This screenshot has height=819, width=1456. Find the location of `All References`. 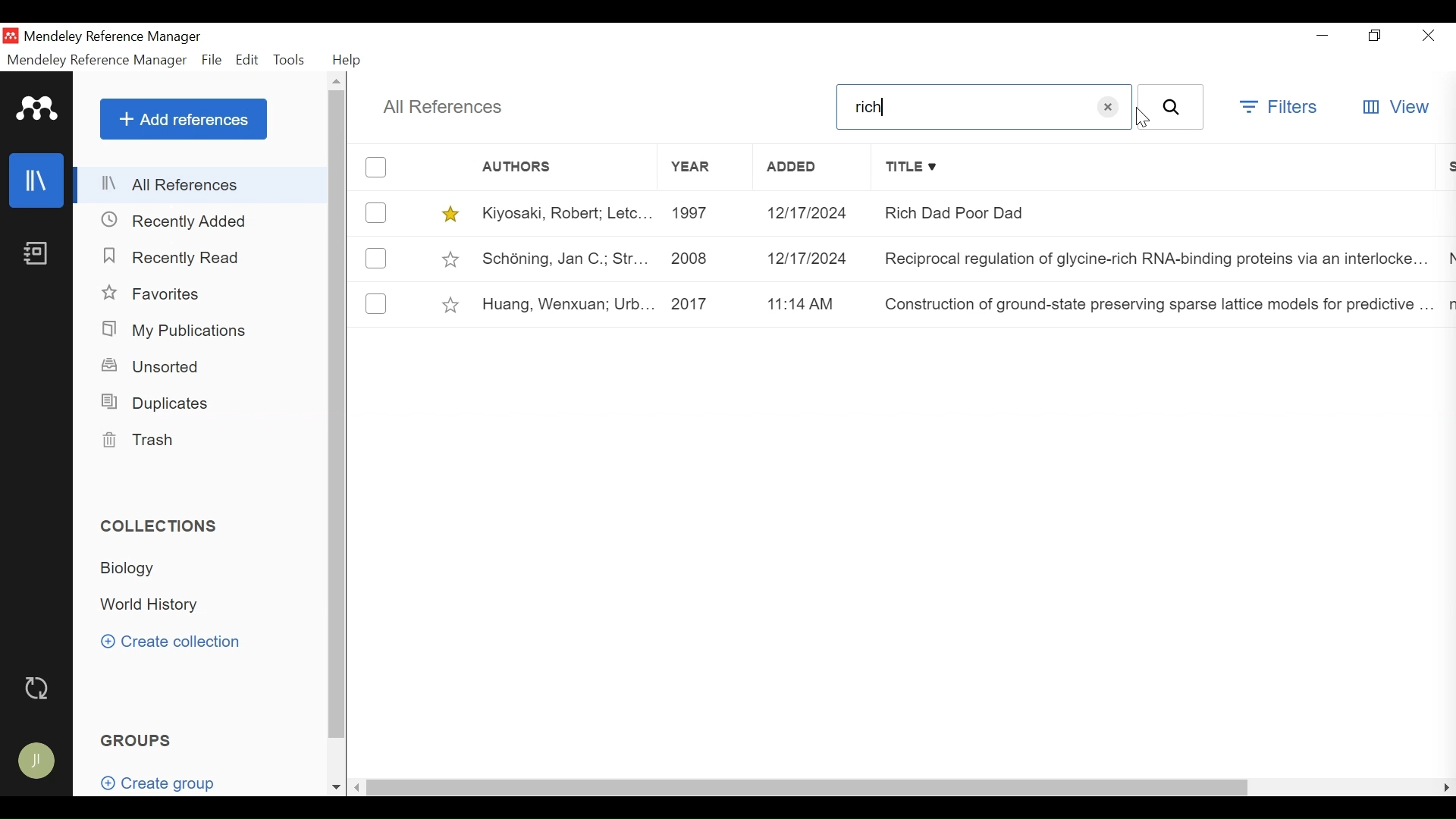

All References is located at coordinates (202, 183).